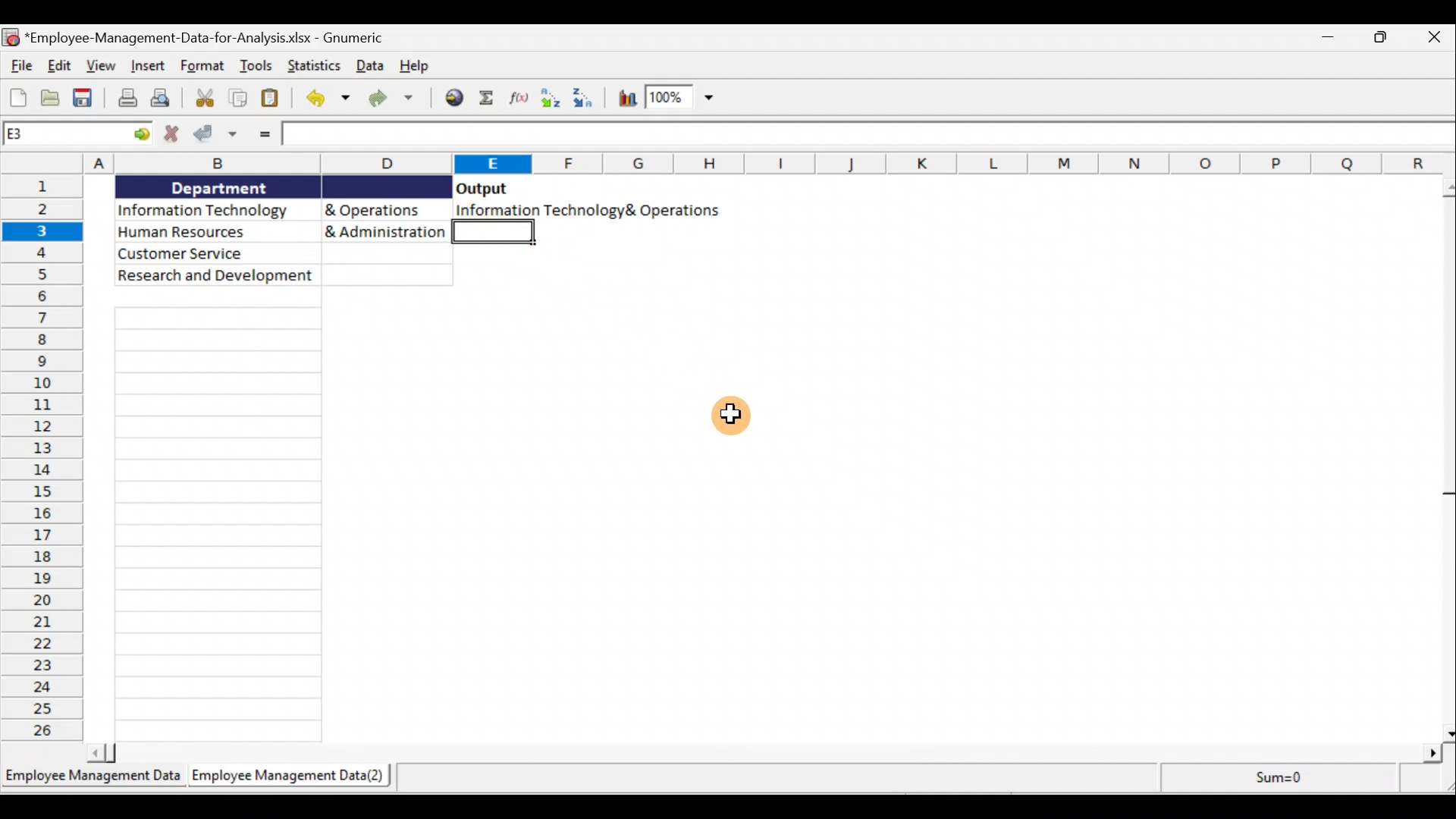  I want to click on Information Technology& Operations, so click(586, 210).